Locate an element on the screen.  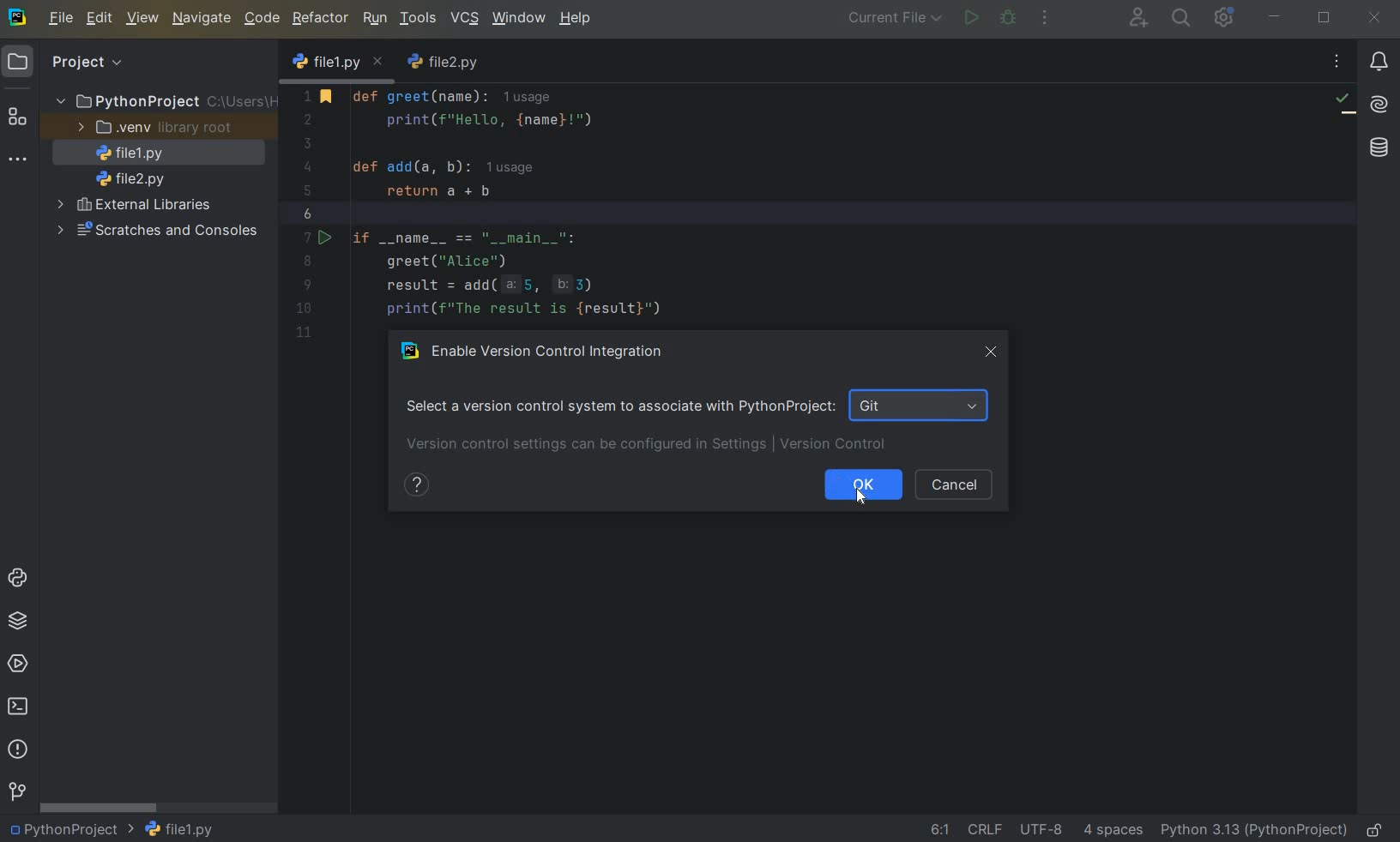
line number is located at coordinates (310, 214).